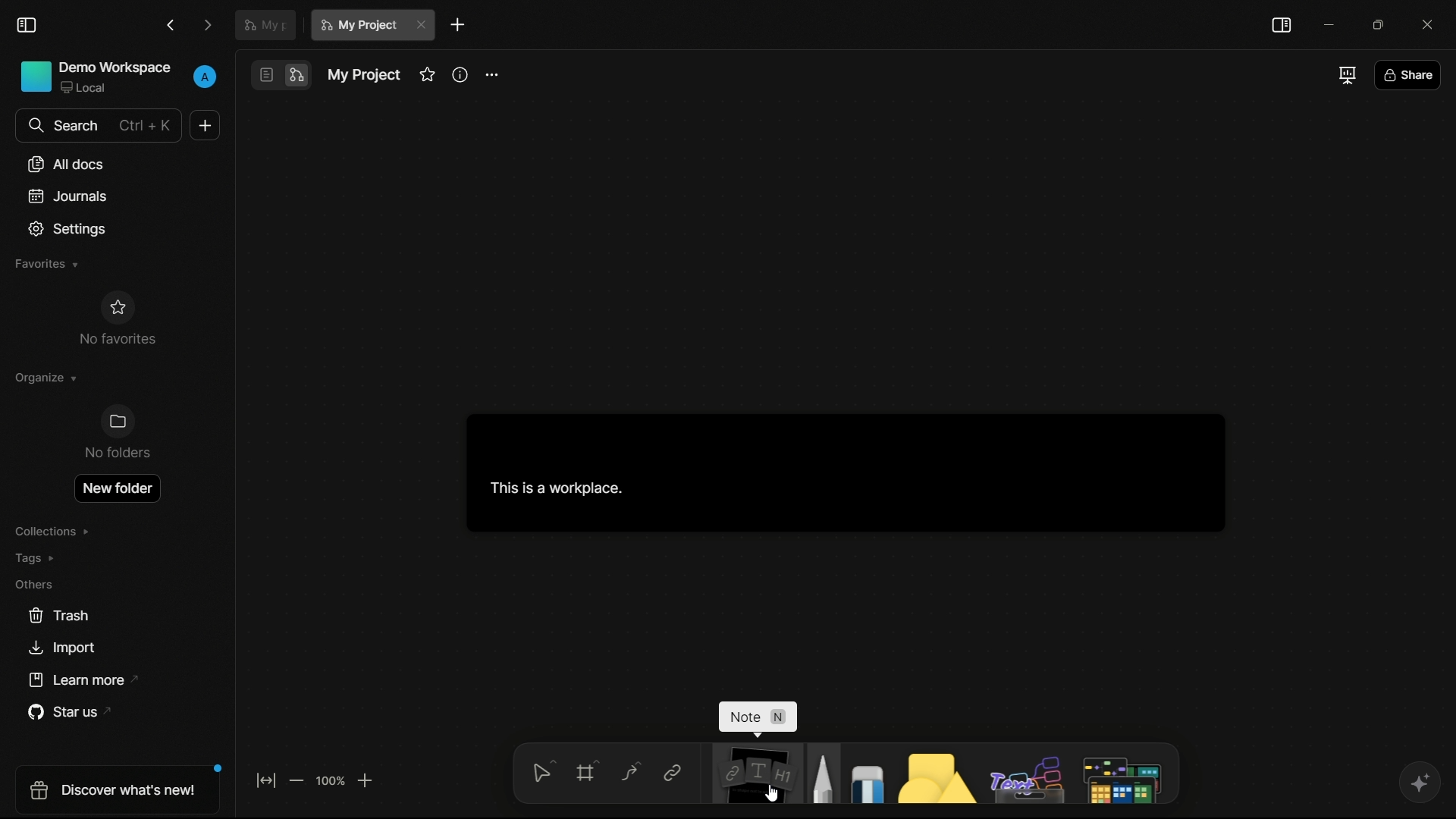  What do you see at coordinates (1380, 24) in the screenshot?
I see `maximize or restore` at bounding box center [1380, 24].